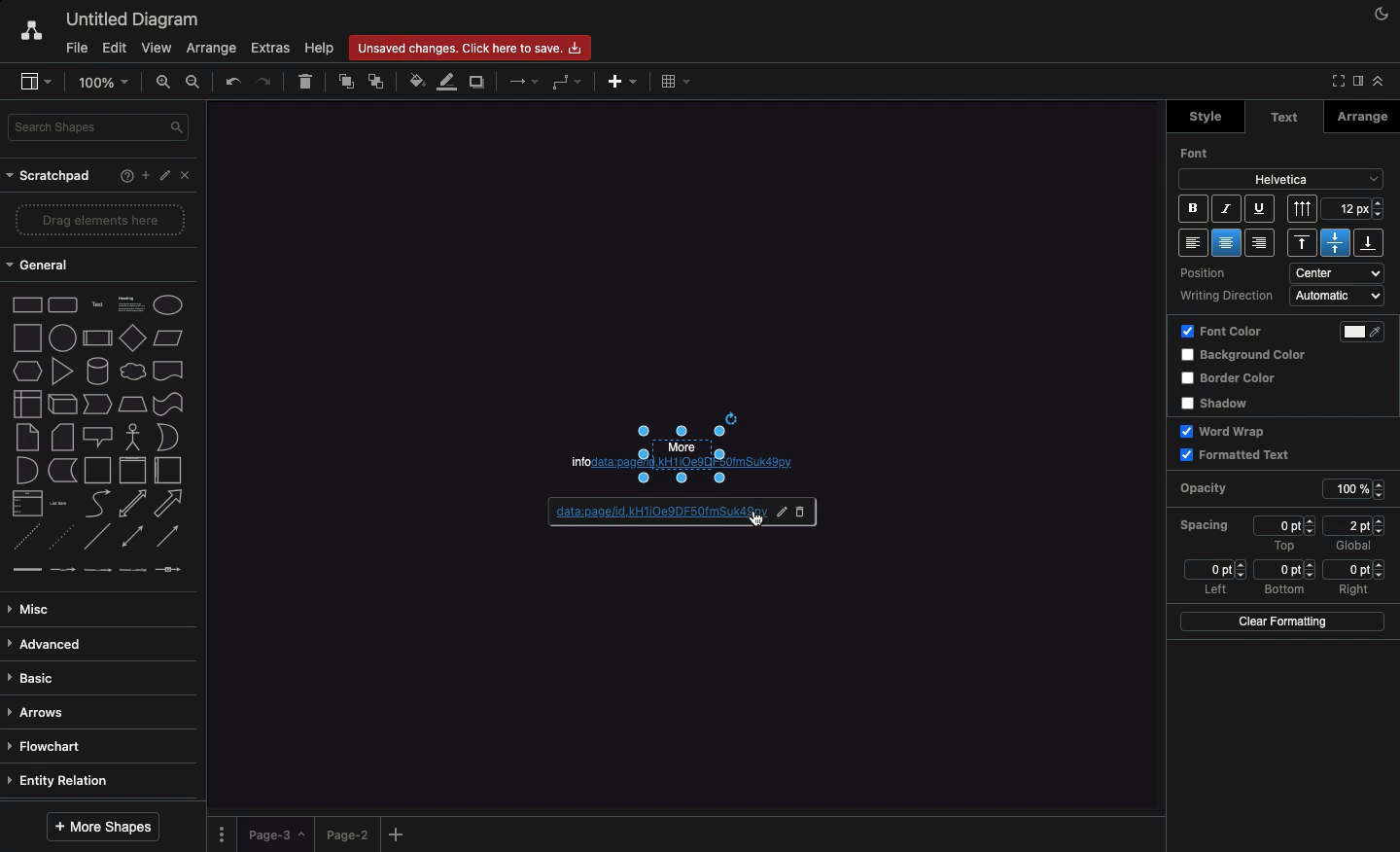 The image size is (1400, 852). Describe the element at coordinates (1335, 242) in the screenshot. I see `Center ` at that location.